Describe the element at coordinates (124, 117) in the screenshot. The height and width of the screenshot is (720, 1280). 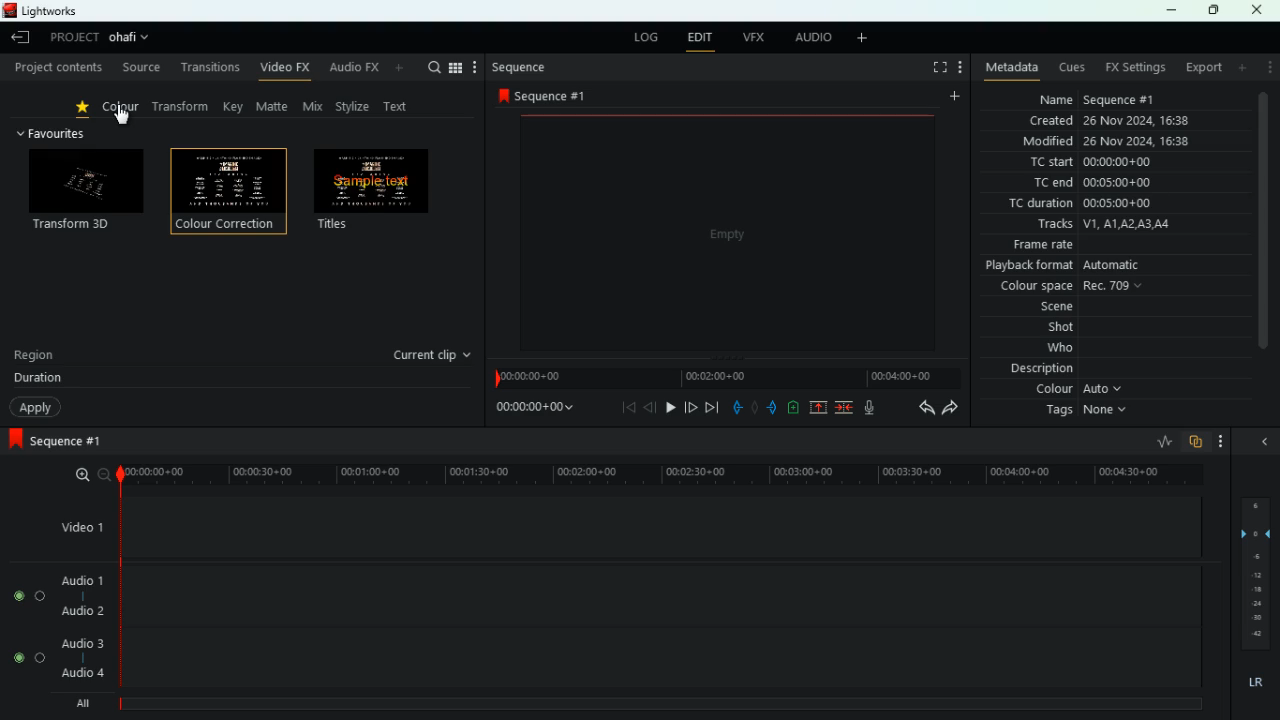
I see `cursor` at that location.